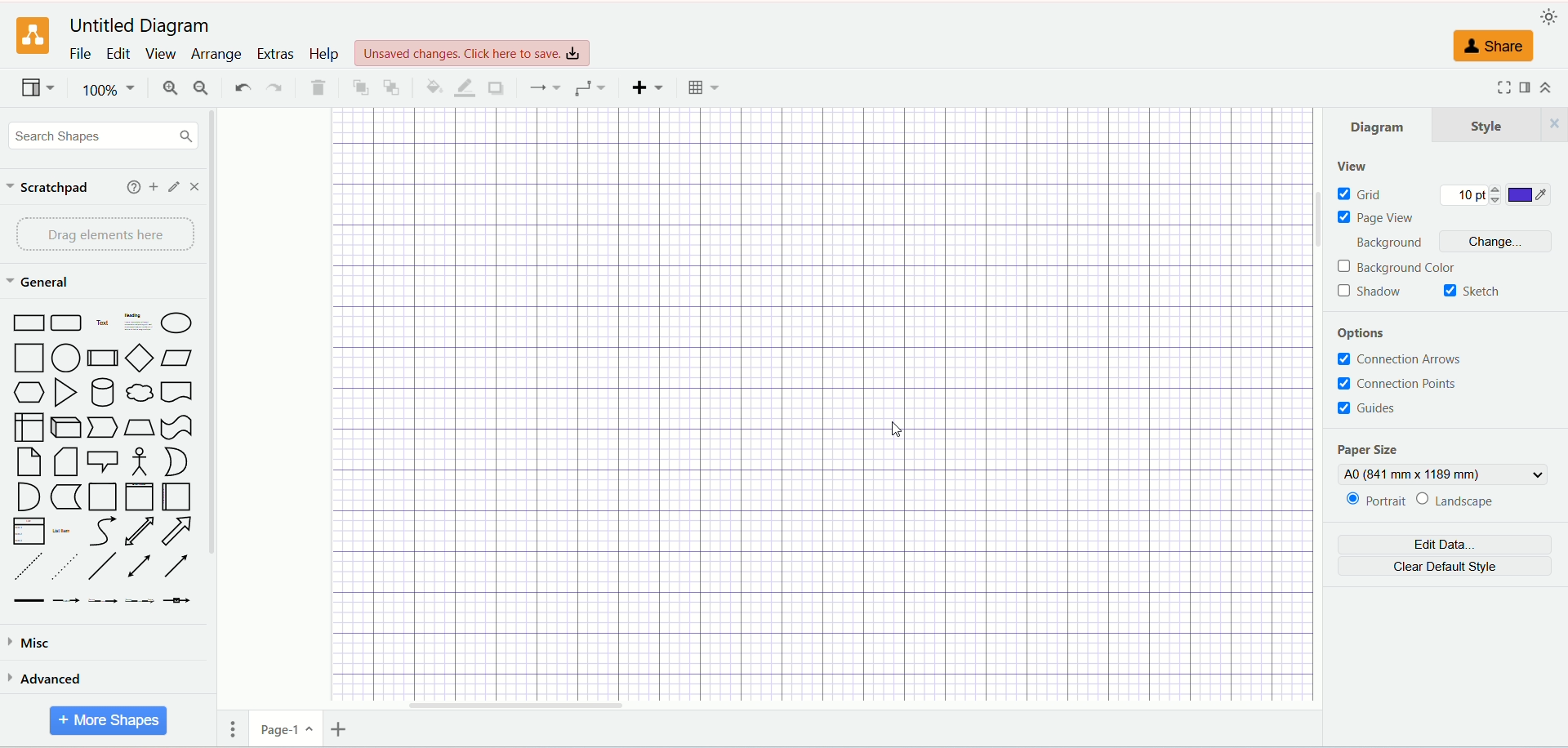  Describe the element at coordinates (101, 639) in the screenshot. I see `misc` at that location.